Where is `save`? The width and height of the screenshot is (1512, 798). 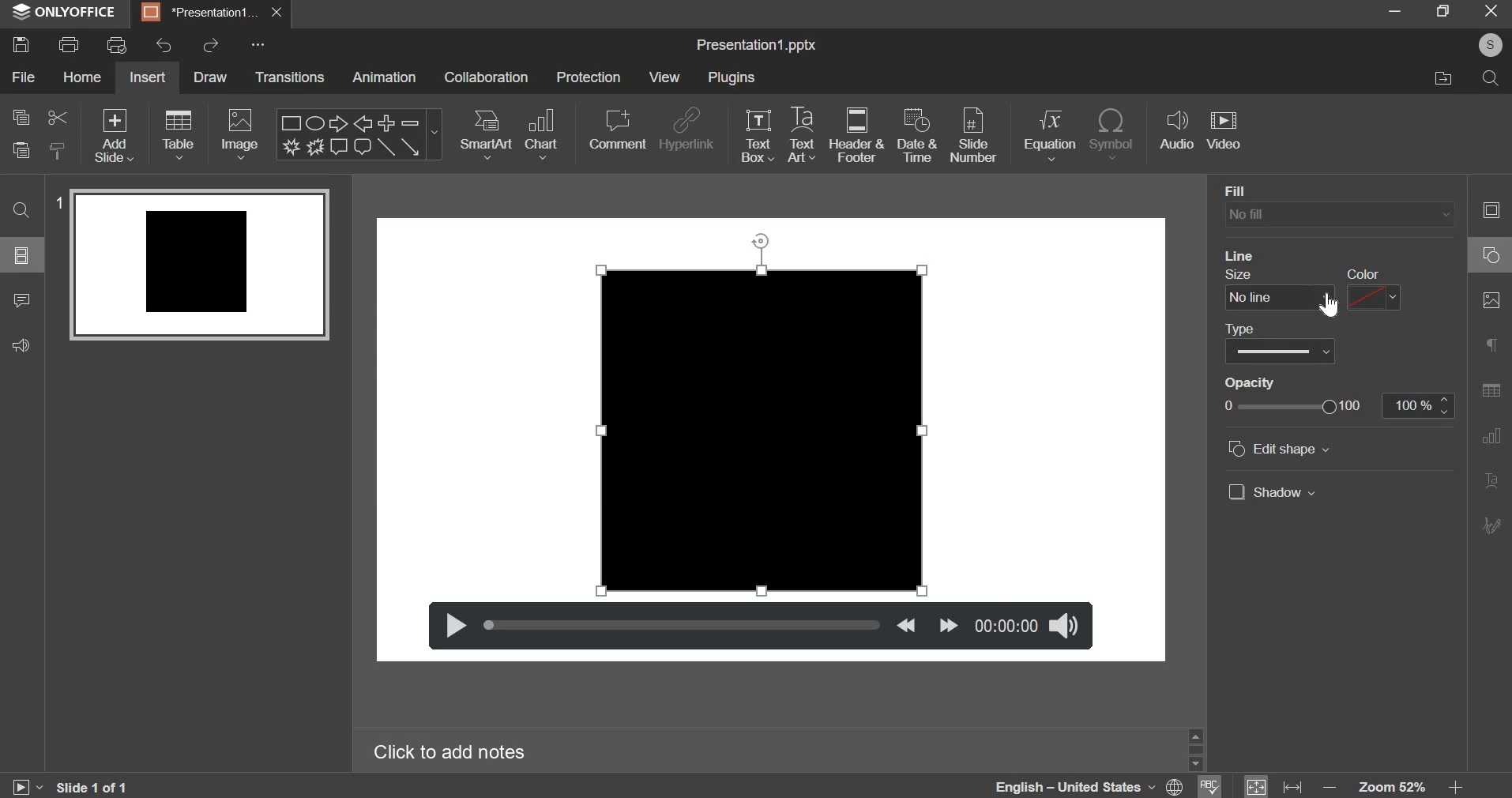
save is located at coordinates (22, 44).